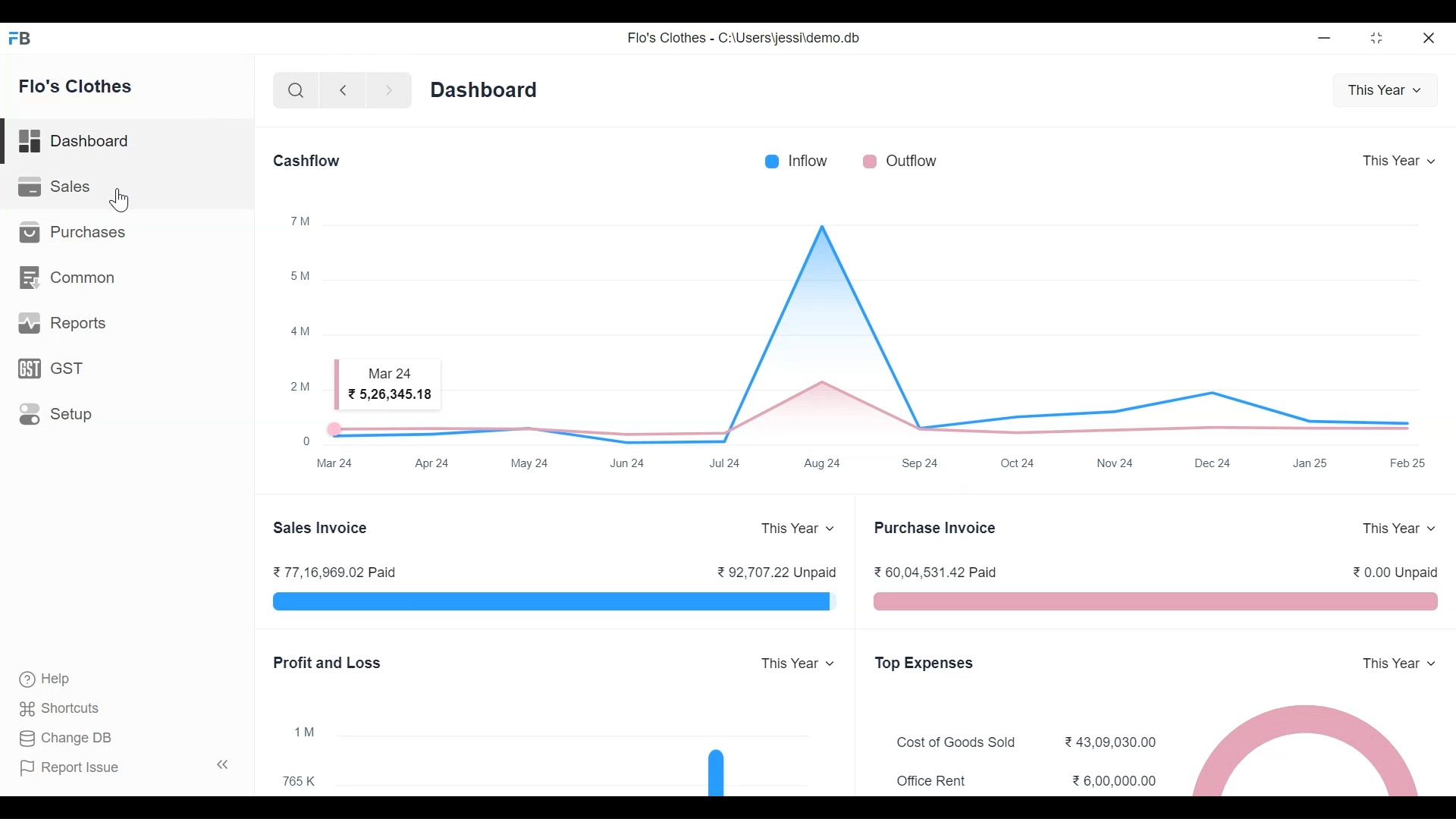 Image resolution: width=1456 pixels, height=819 pixels. What do you see at coordinates (339, 465) in the screenshot?
I see `Mar 24` at bounding box center [339, 465].